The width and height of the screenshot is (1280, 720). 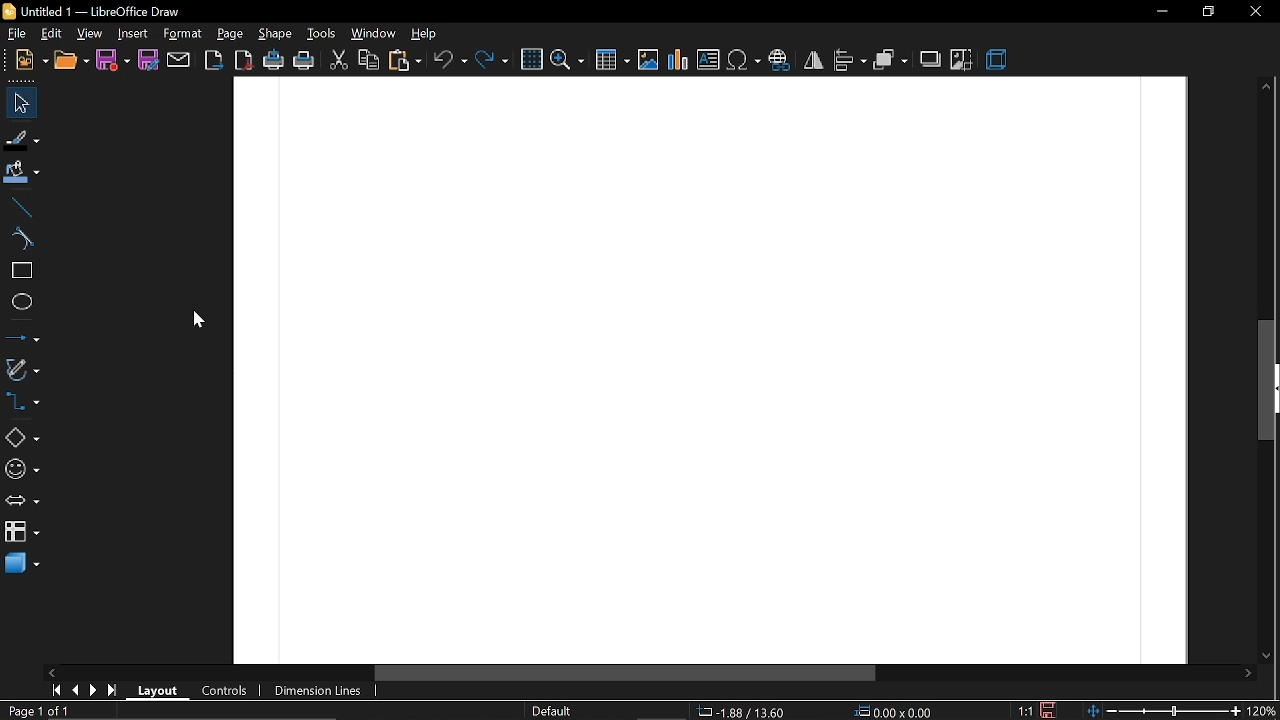 I want to click on basic shapes, so click(x=21, y=440).